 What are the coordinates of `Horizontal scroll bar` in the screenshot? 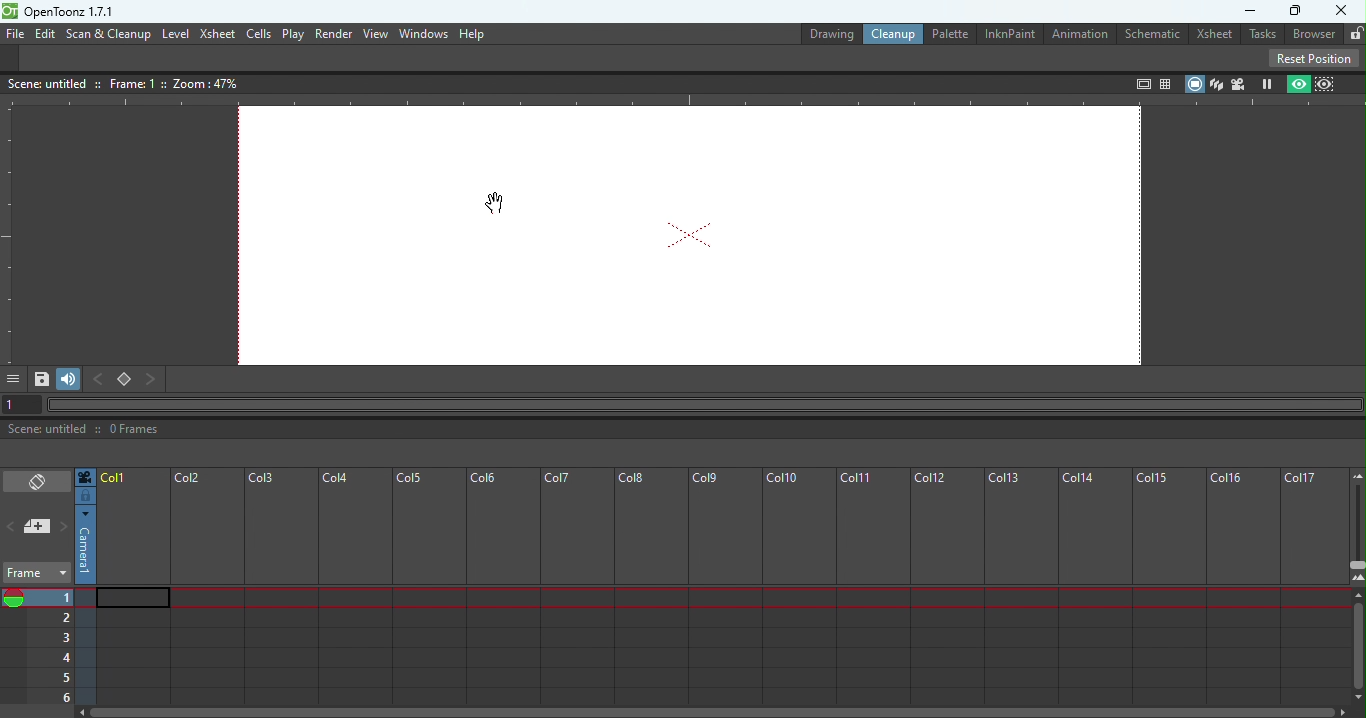 It's located at (716, 711).